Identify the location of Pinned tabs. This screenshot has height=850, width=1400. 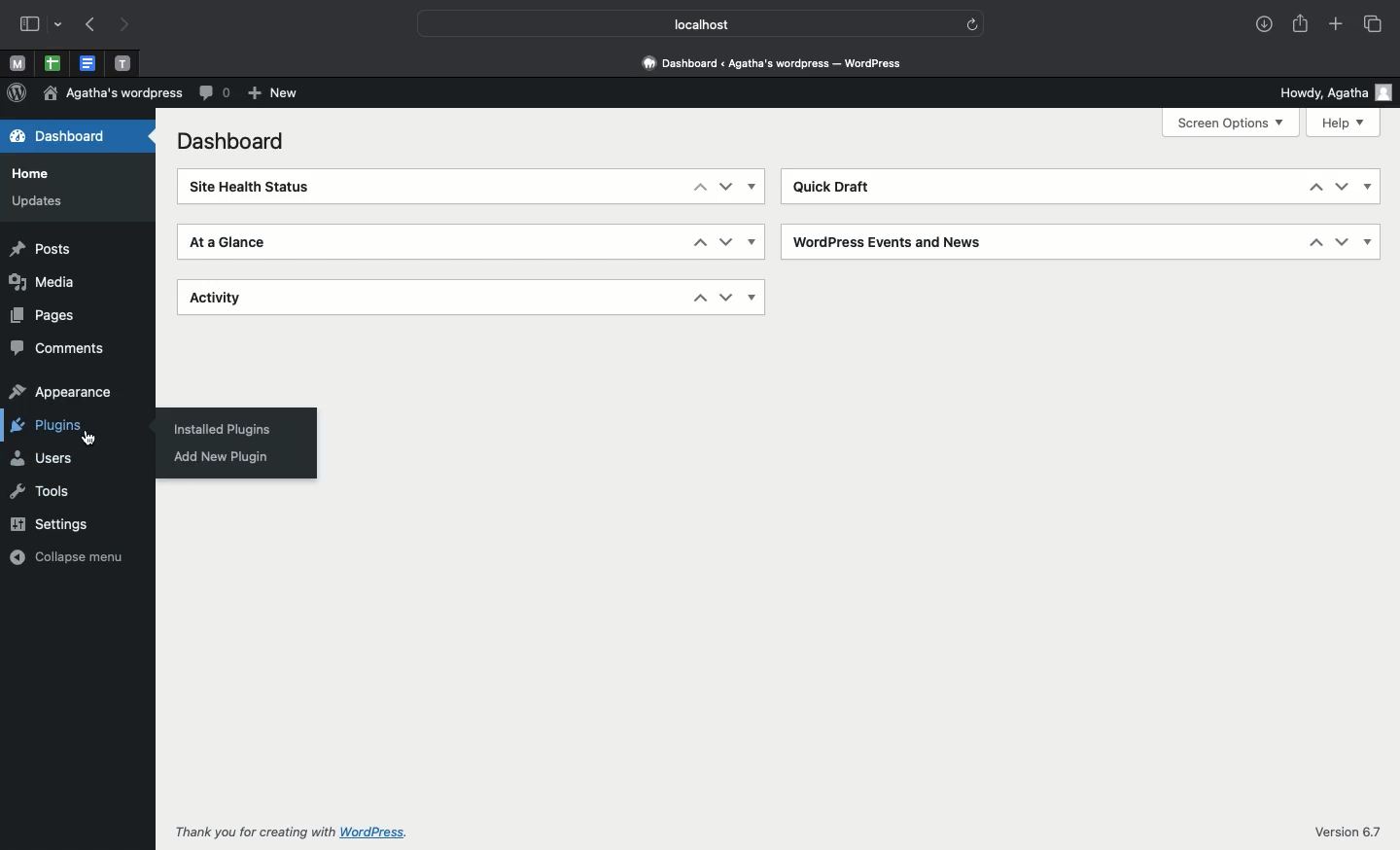
(18, 65).